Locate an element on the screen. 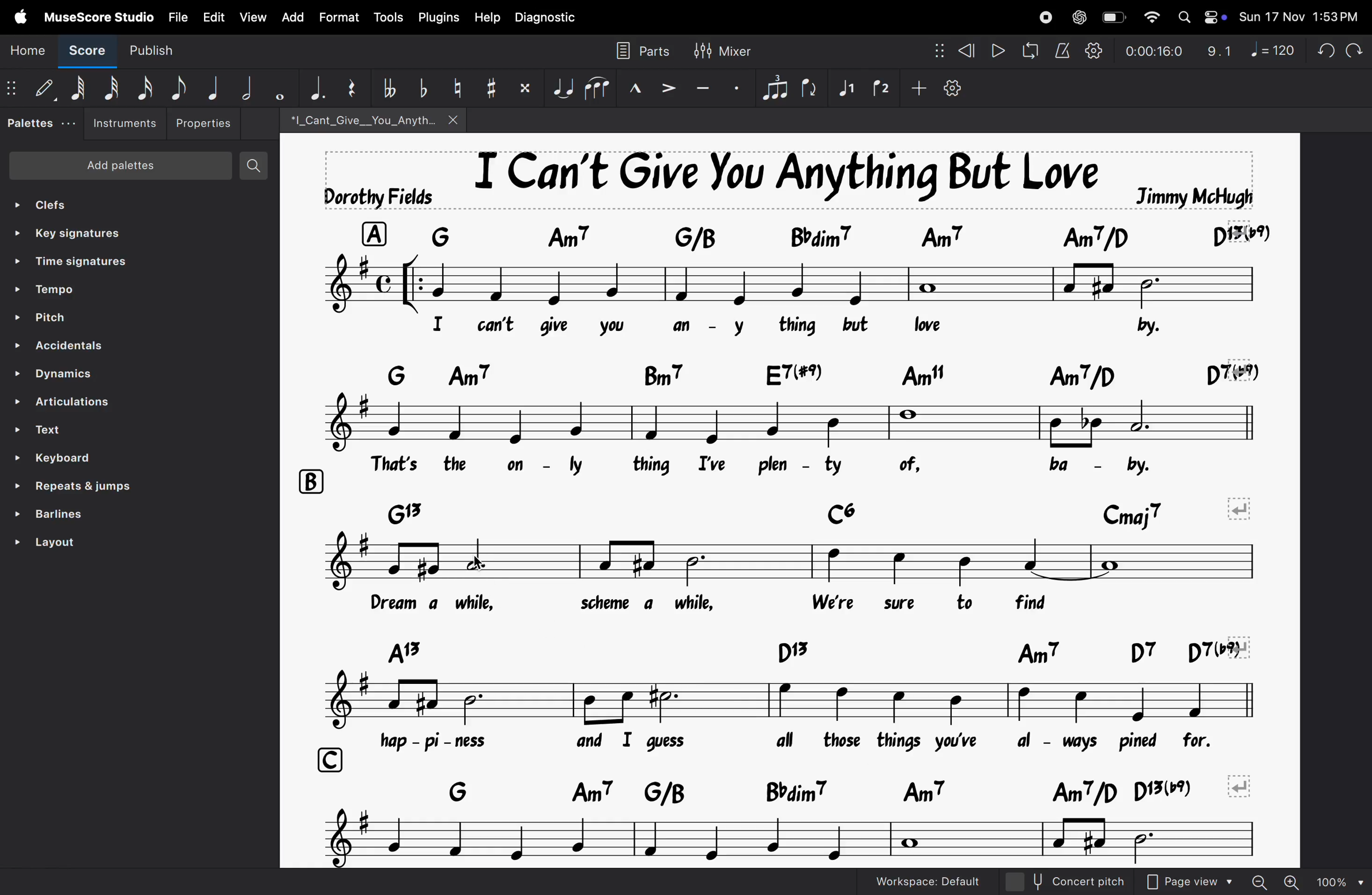 This screenshot has height=895, width=1372. redo is located at coordinates (1355, 46).